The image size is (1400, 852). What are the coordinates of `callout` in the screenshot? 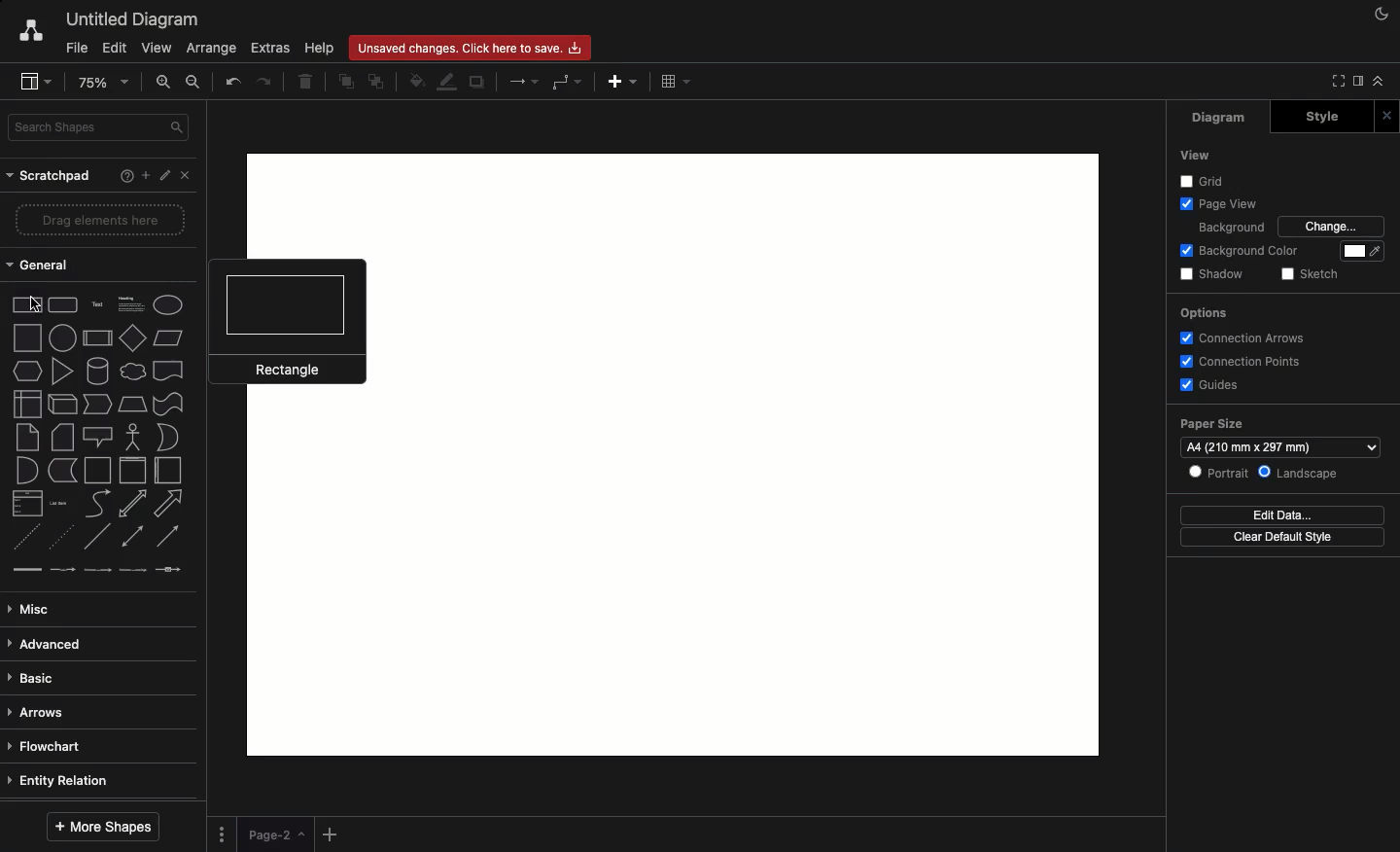 It's located at (99, 436).